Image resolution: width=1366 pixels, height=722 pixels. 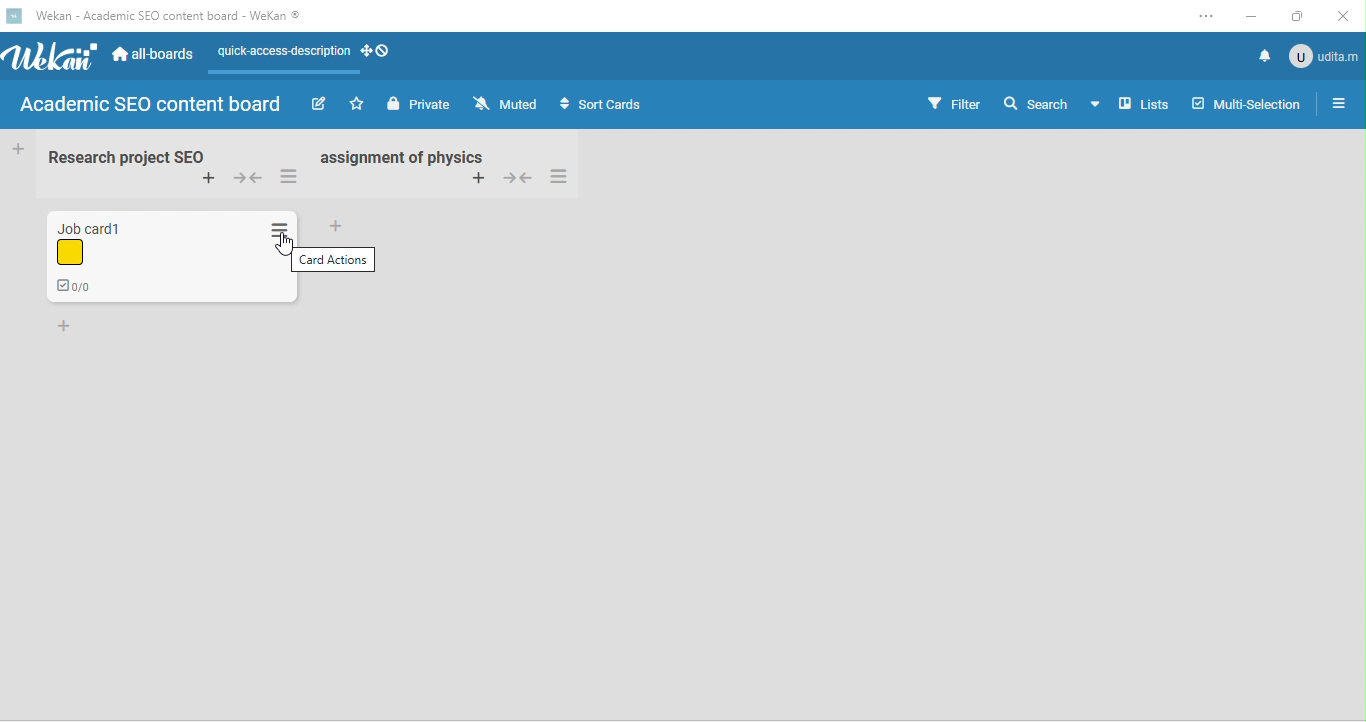 What do you see at coordinates (52, 55) in the screenshot?
I see `wekan logo` at bounding box center [52, 55].